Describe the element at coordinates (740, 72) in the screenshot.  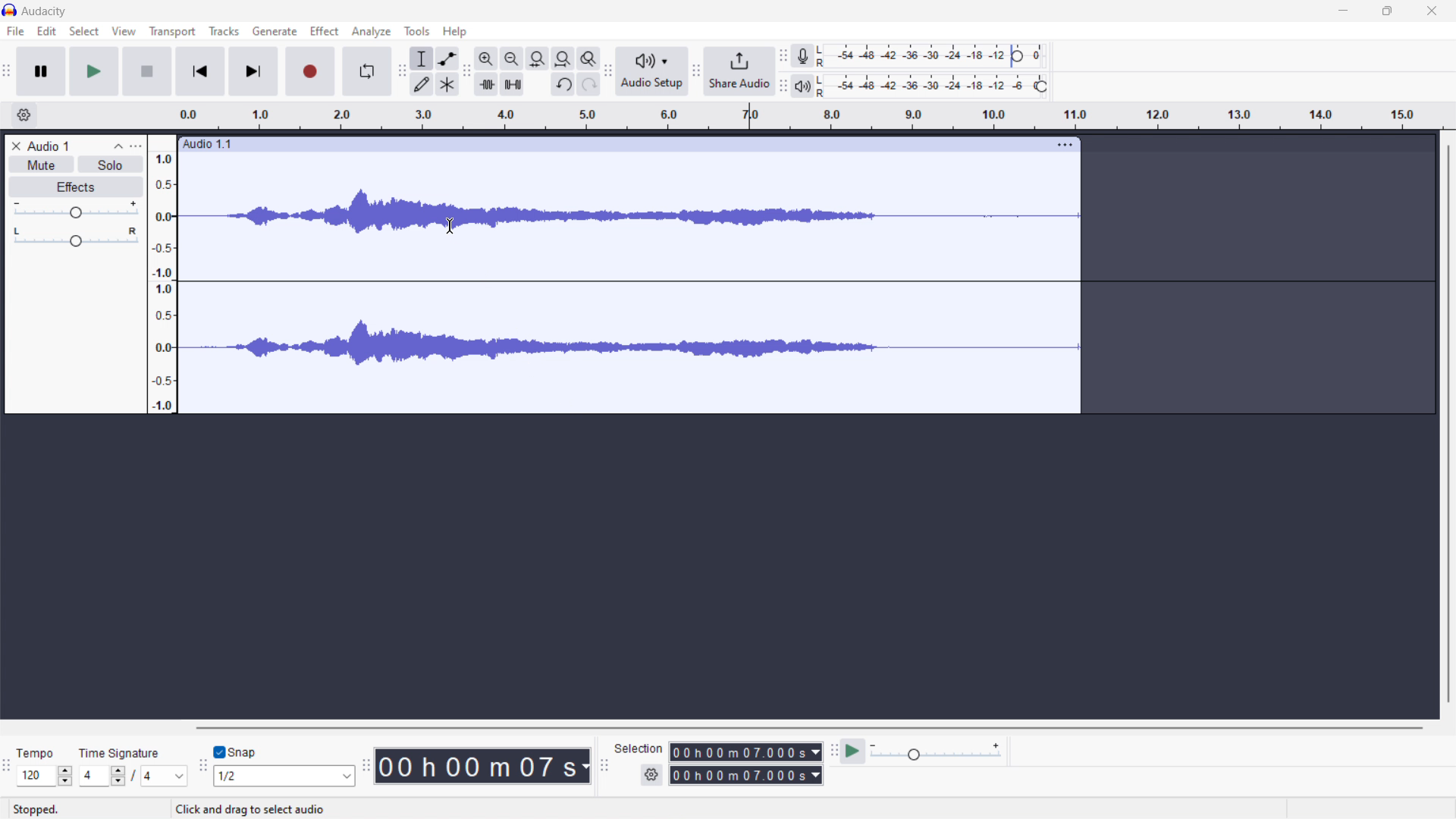
I see `share audio` at that location.